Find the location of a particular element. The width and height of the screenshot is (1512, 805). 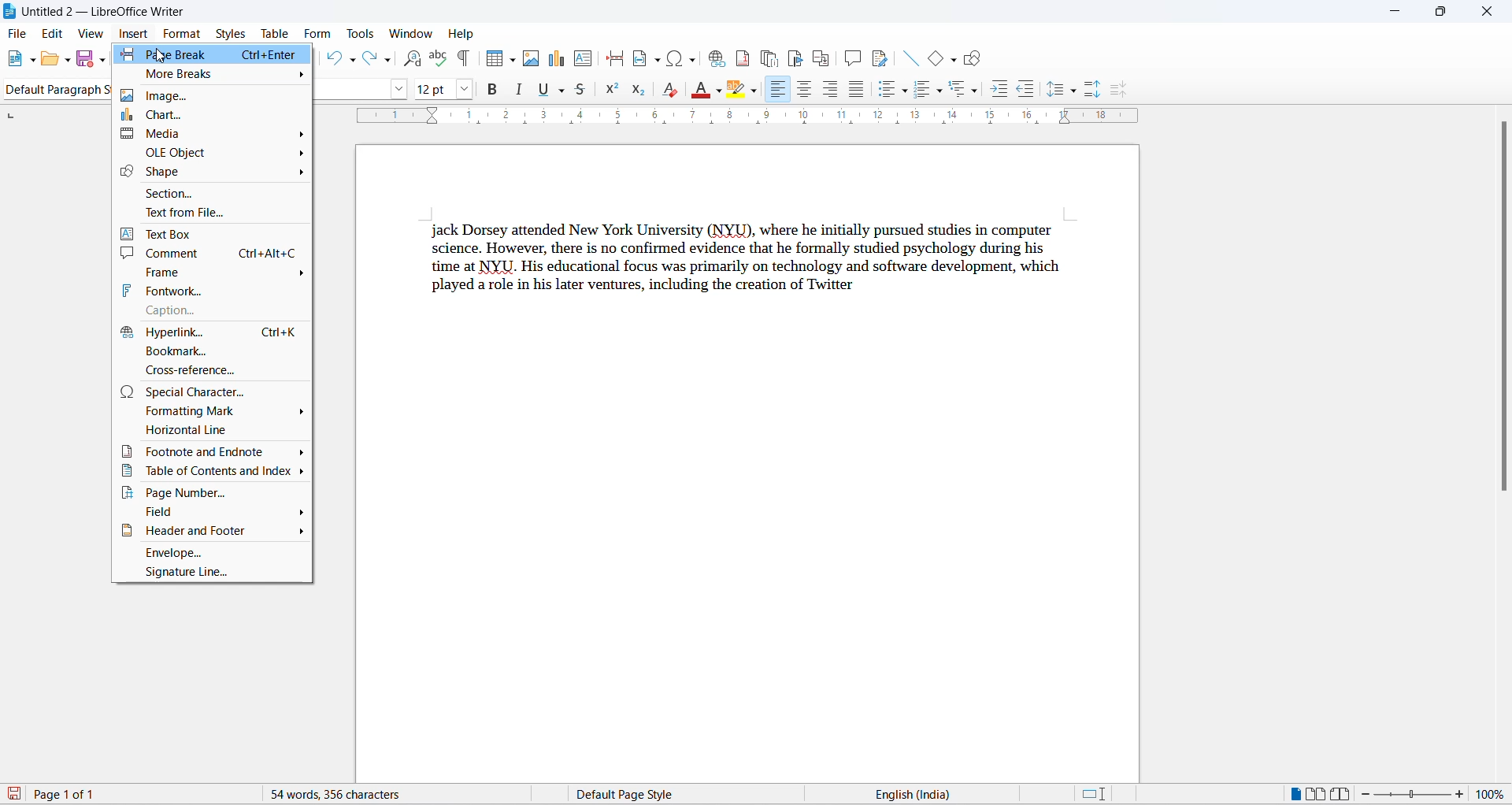

save is located at coordinates (85, 61).